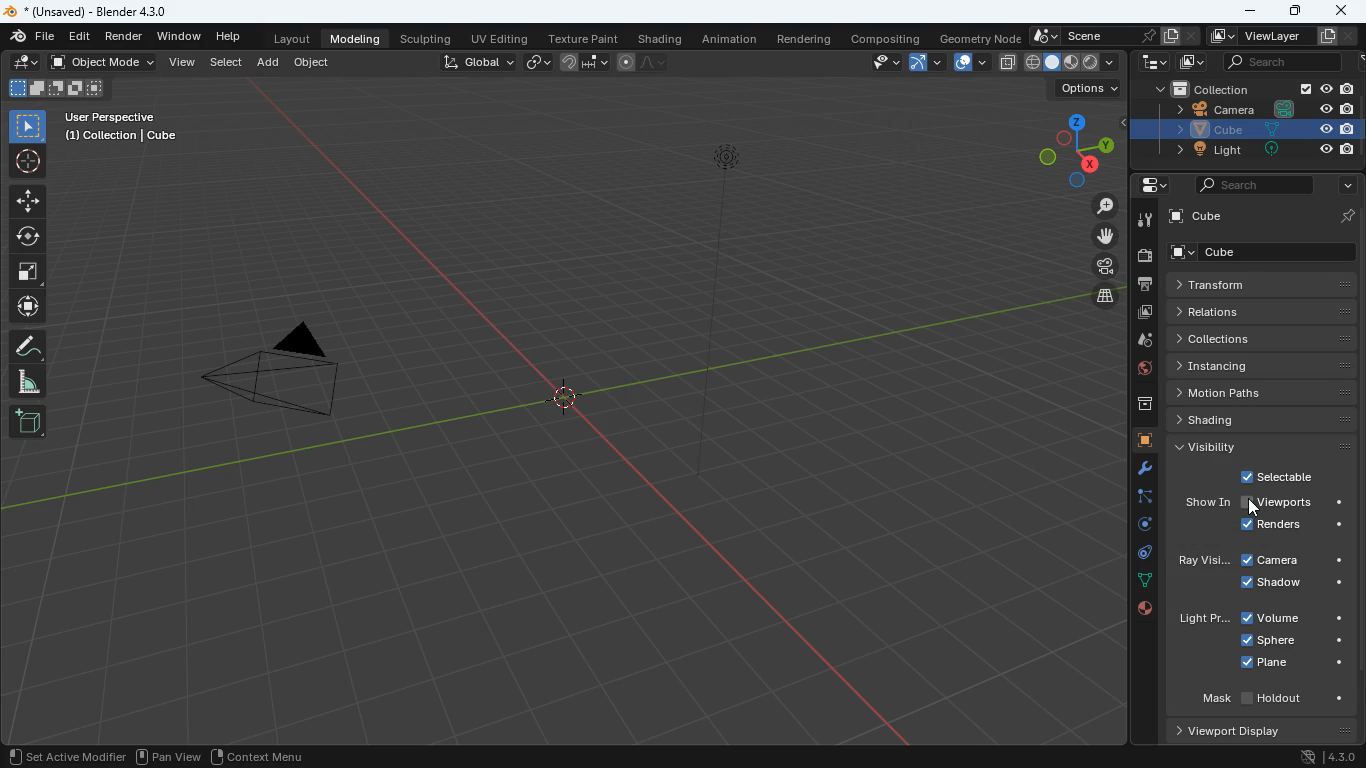 This screenshot has width=1366, height=768. I want to click on options, so click(1088, 87).